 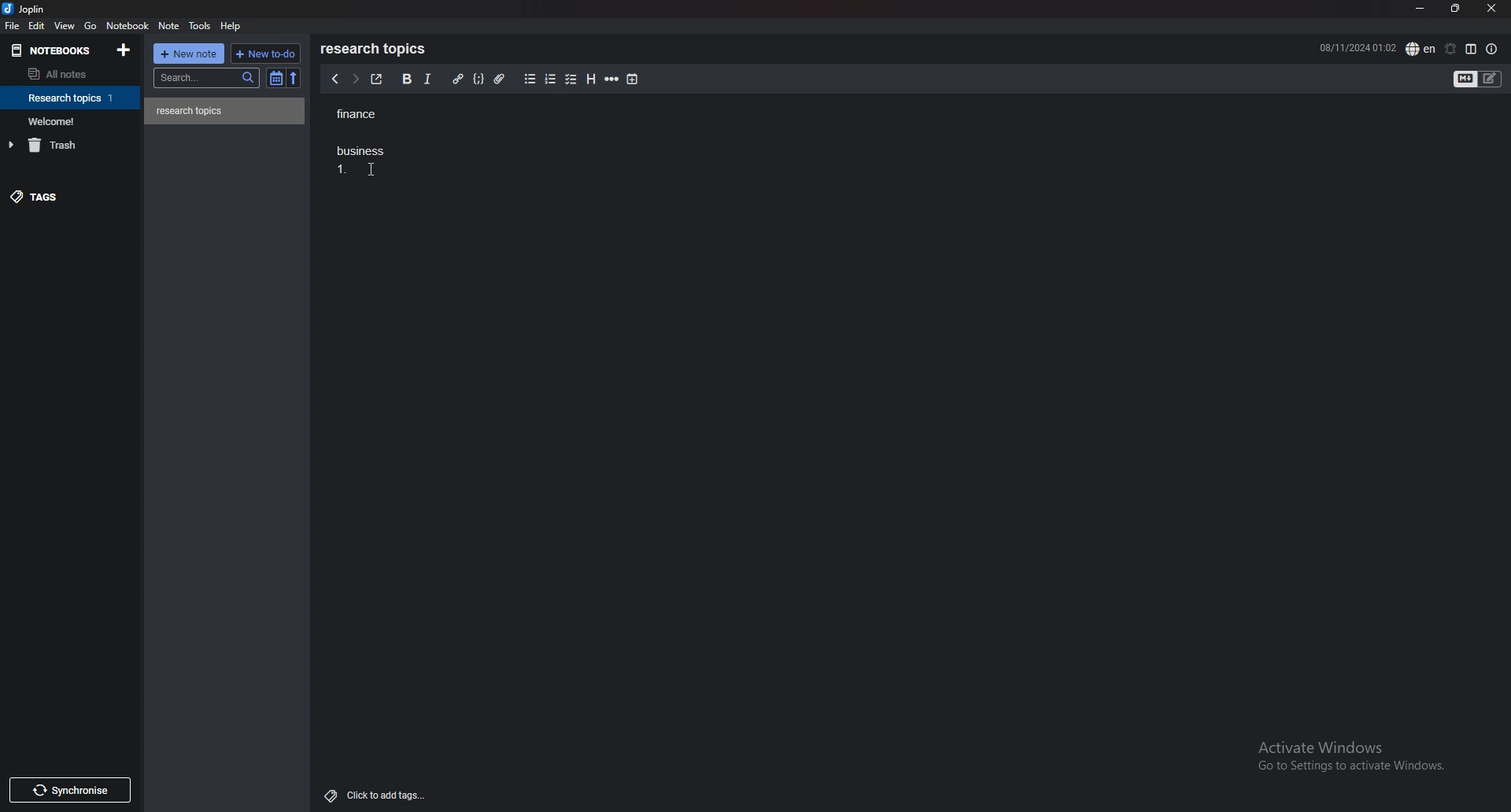 I want to click on hyperlink, so click(x=457, y=79).